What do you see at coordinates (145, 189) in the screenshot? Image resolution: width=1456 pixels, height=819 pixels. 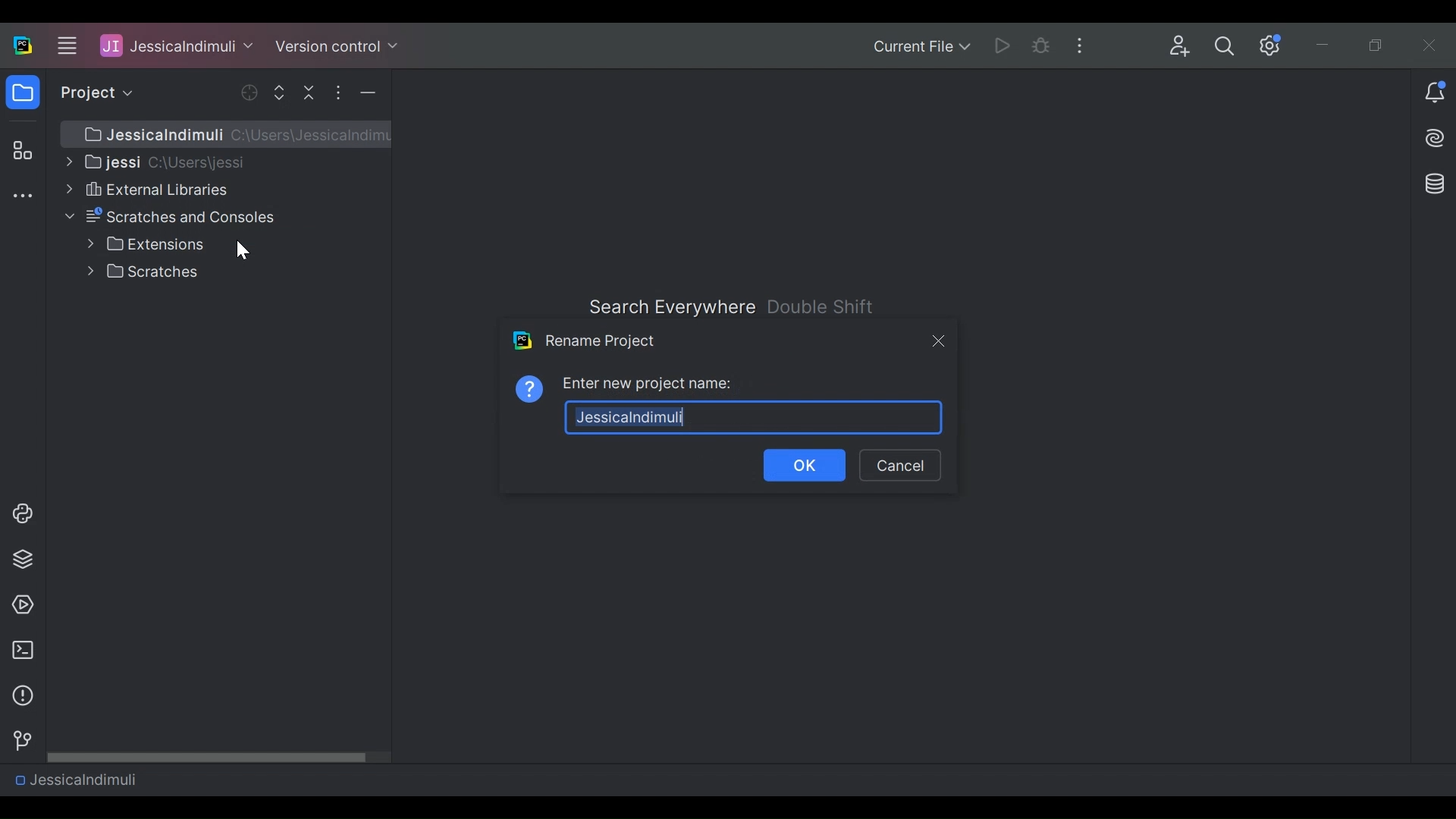 I see `External Libraries` at bounding box center [145, 189].